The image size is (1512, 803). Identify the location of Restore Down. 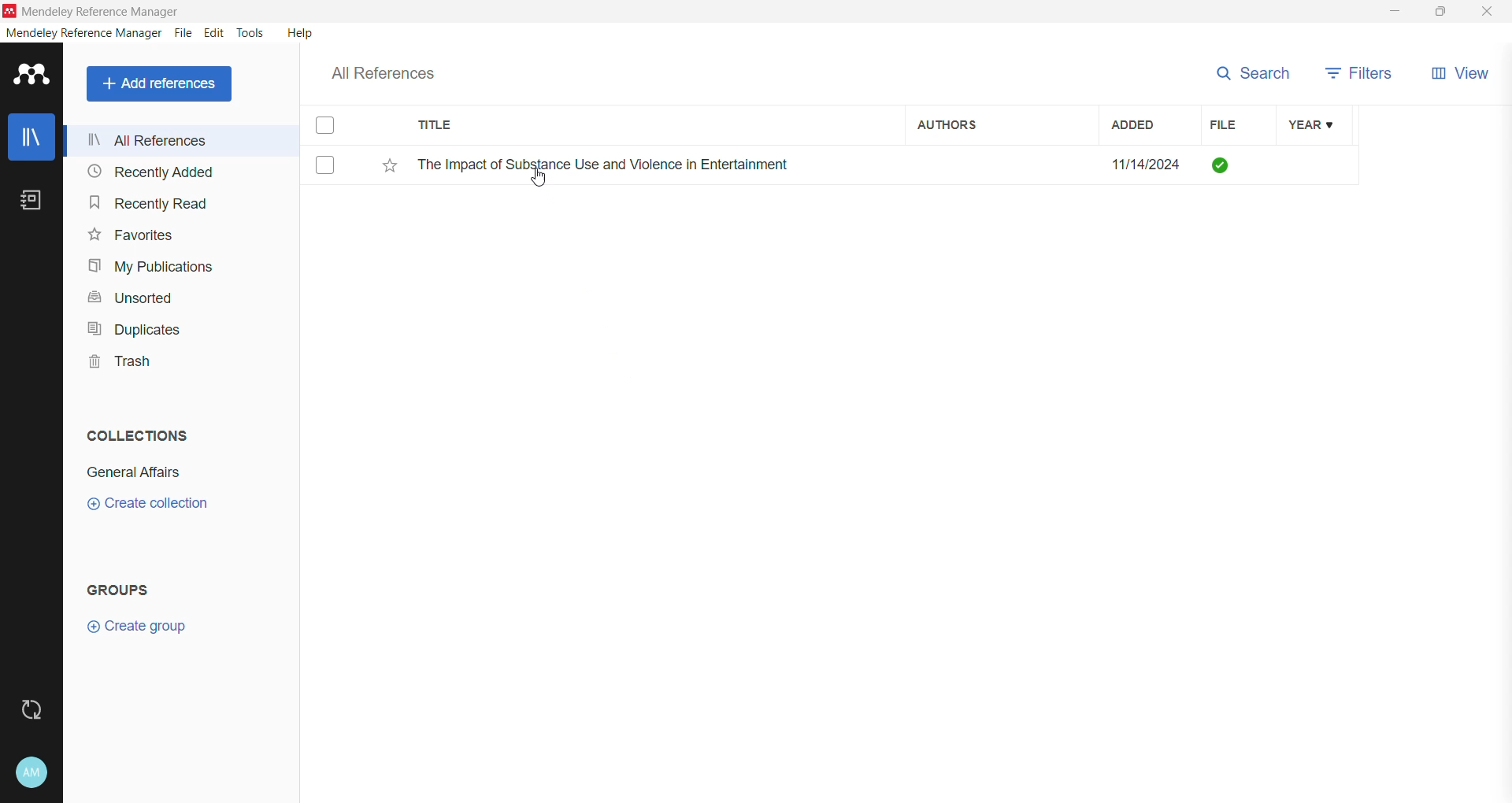
(1442, 13).